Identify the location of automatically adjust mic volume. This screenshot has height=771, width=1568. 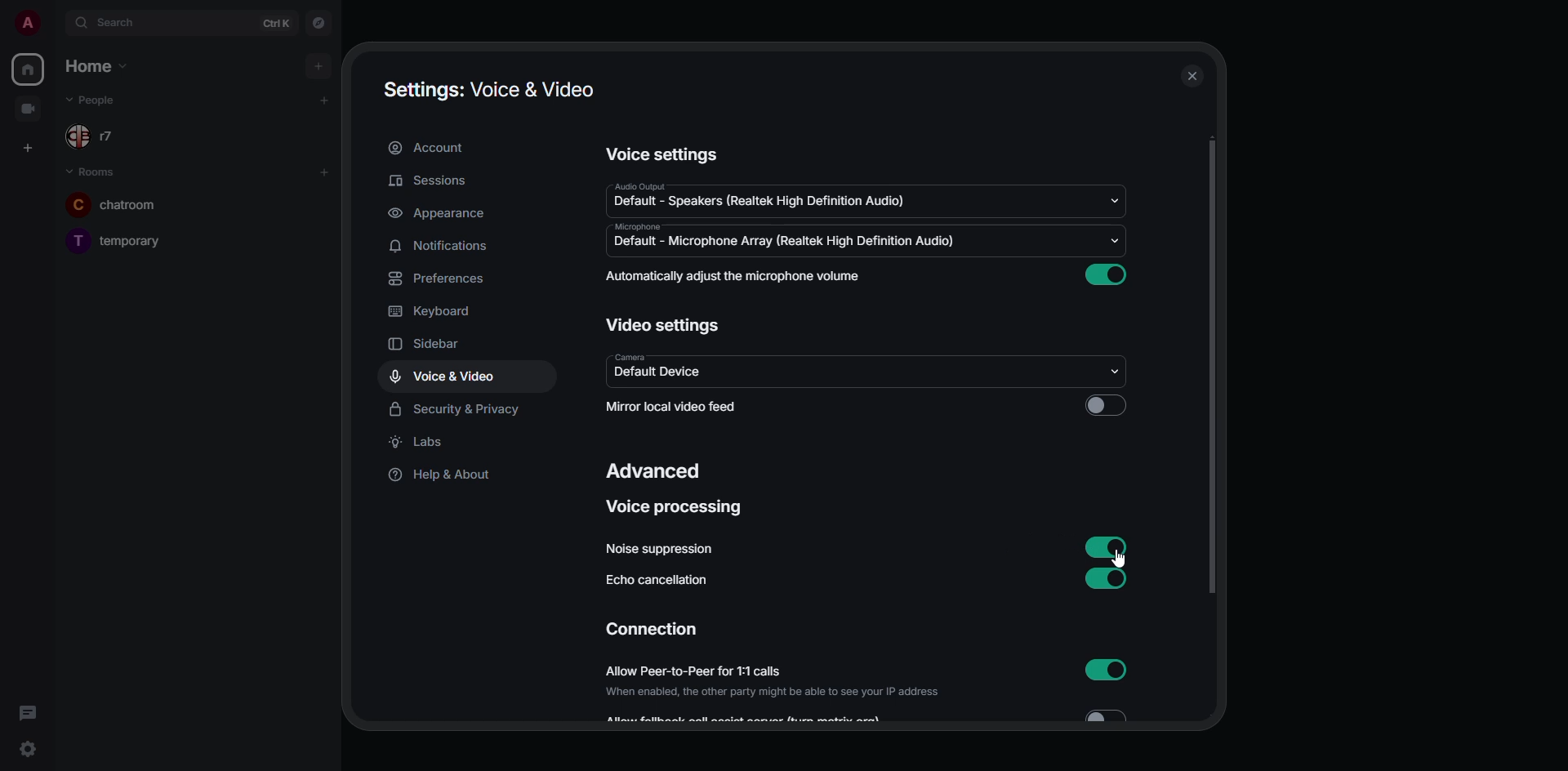
(736, 277).